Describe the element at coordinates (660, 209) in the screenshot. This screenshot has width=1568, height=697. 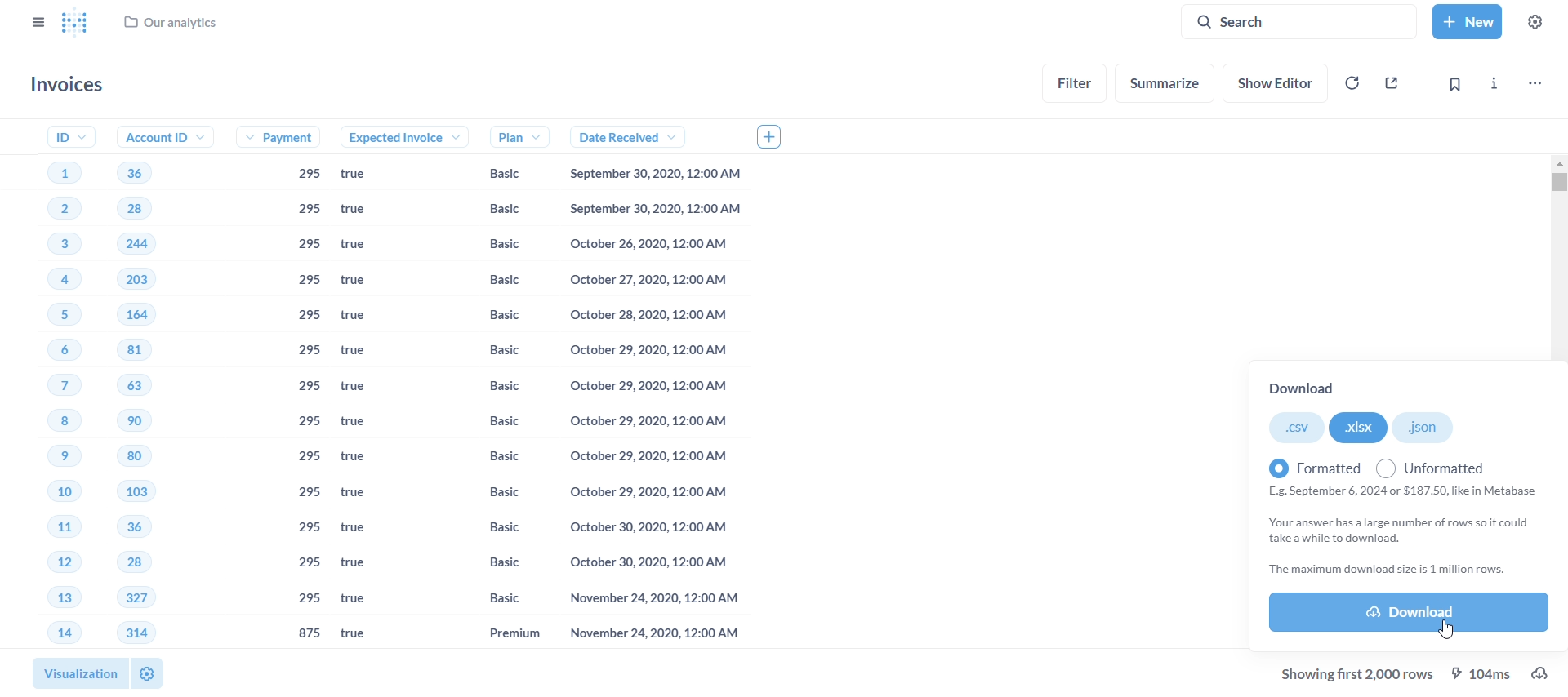
I see `September 30,2020, 12:00 AM` at that location.